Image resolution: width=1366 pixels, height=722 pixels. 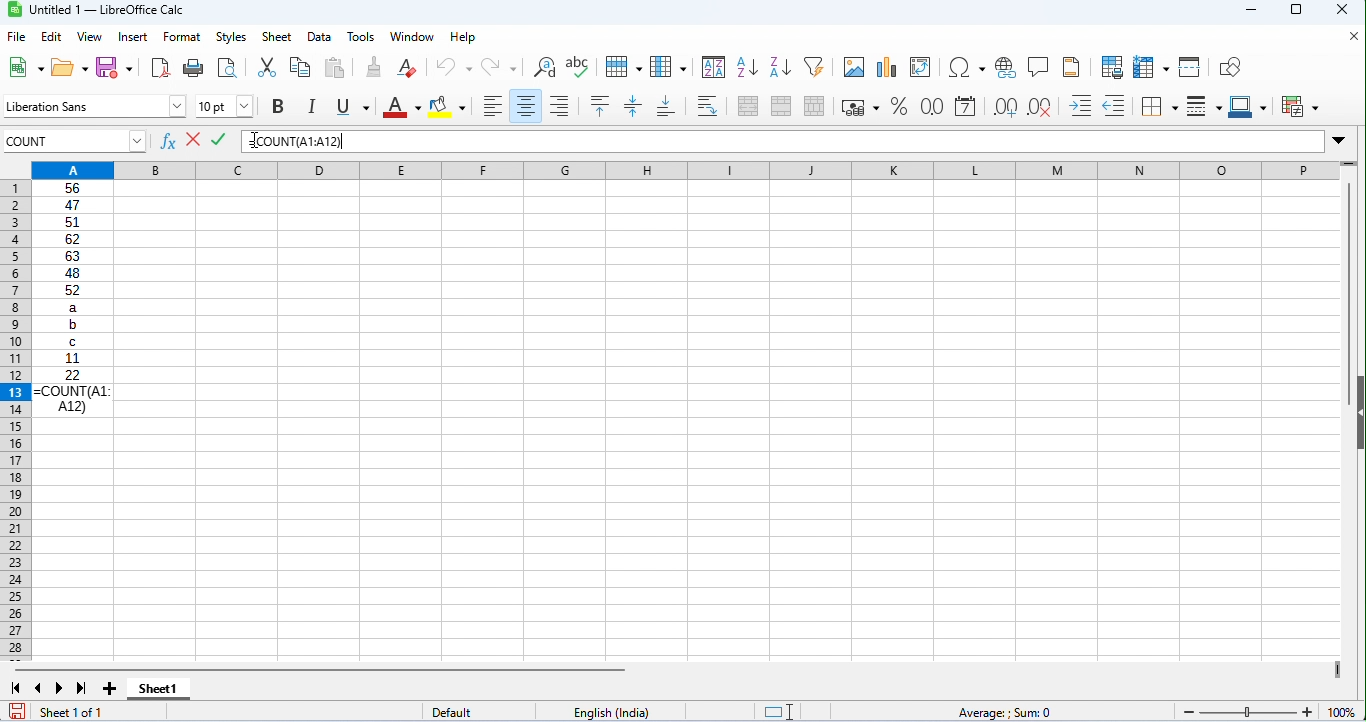 What do you see at coordinates (1360, 413) in the screenshot?
I see `Collapse/Expand` at bounding box center [1360, 413].